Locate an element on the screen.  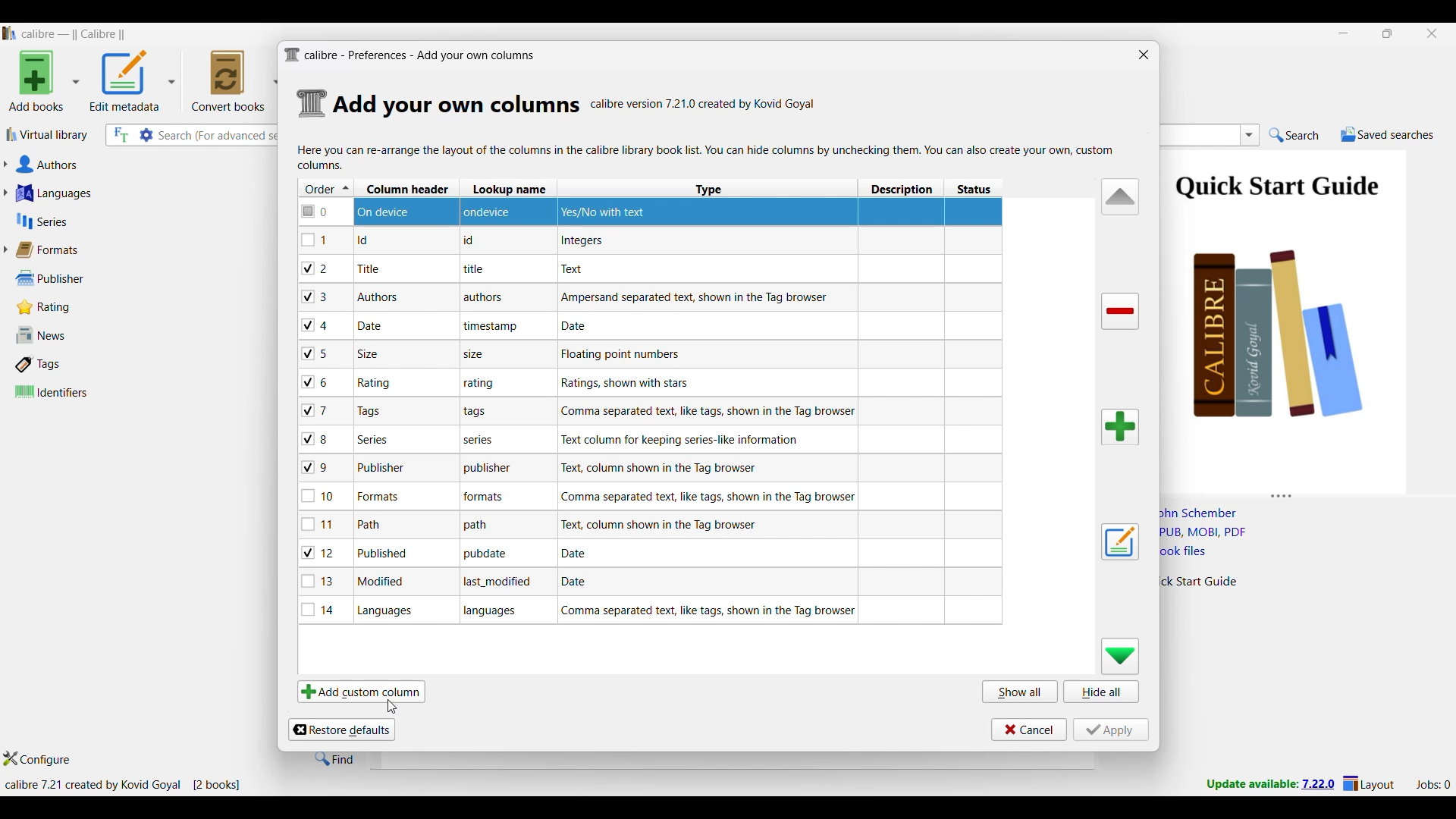
Delete column is located at coordinates (1121, 312).